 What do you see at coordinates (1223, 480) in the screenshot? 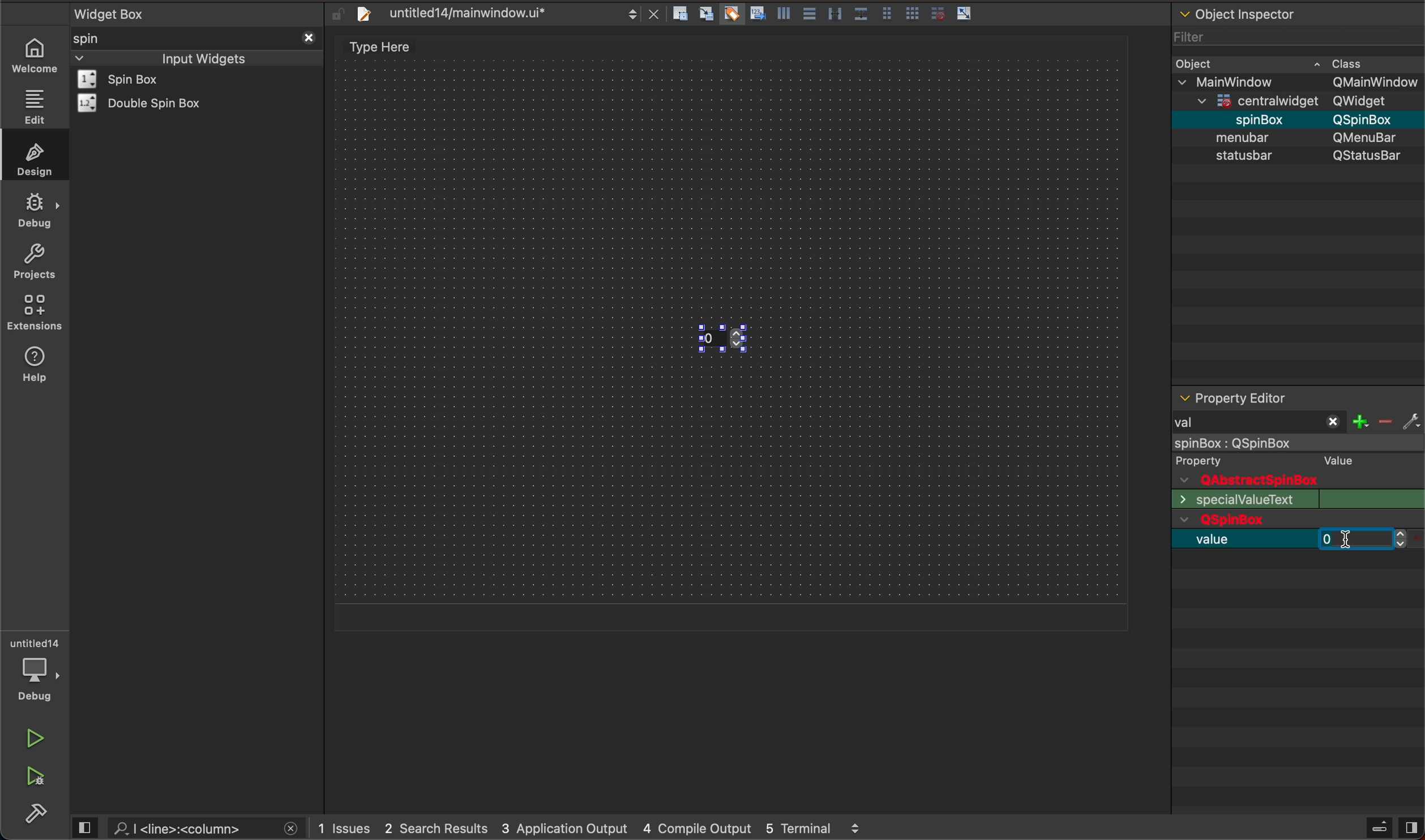
I see `text` at bounding box center [1223, 480].